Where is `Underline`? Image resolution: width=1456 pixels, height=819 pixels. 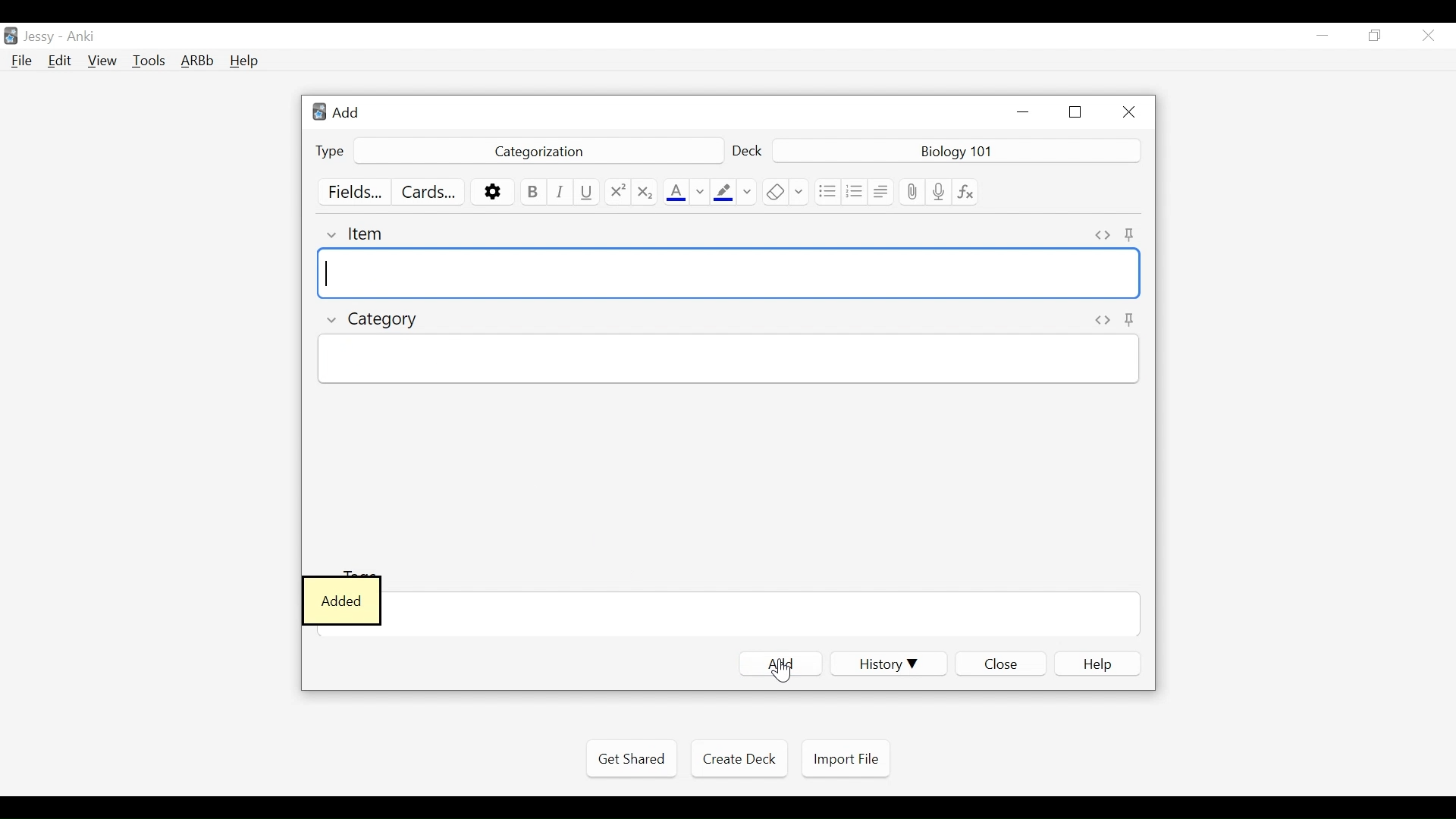 Underline is located at coordinates (588, 192).